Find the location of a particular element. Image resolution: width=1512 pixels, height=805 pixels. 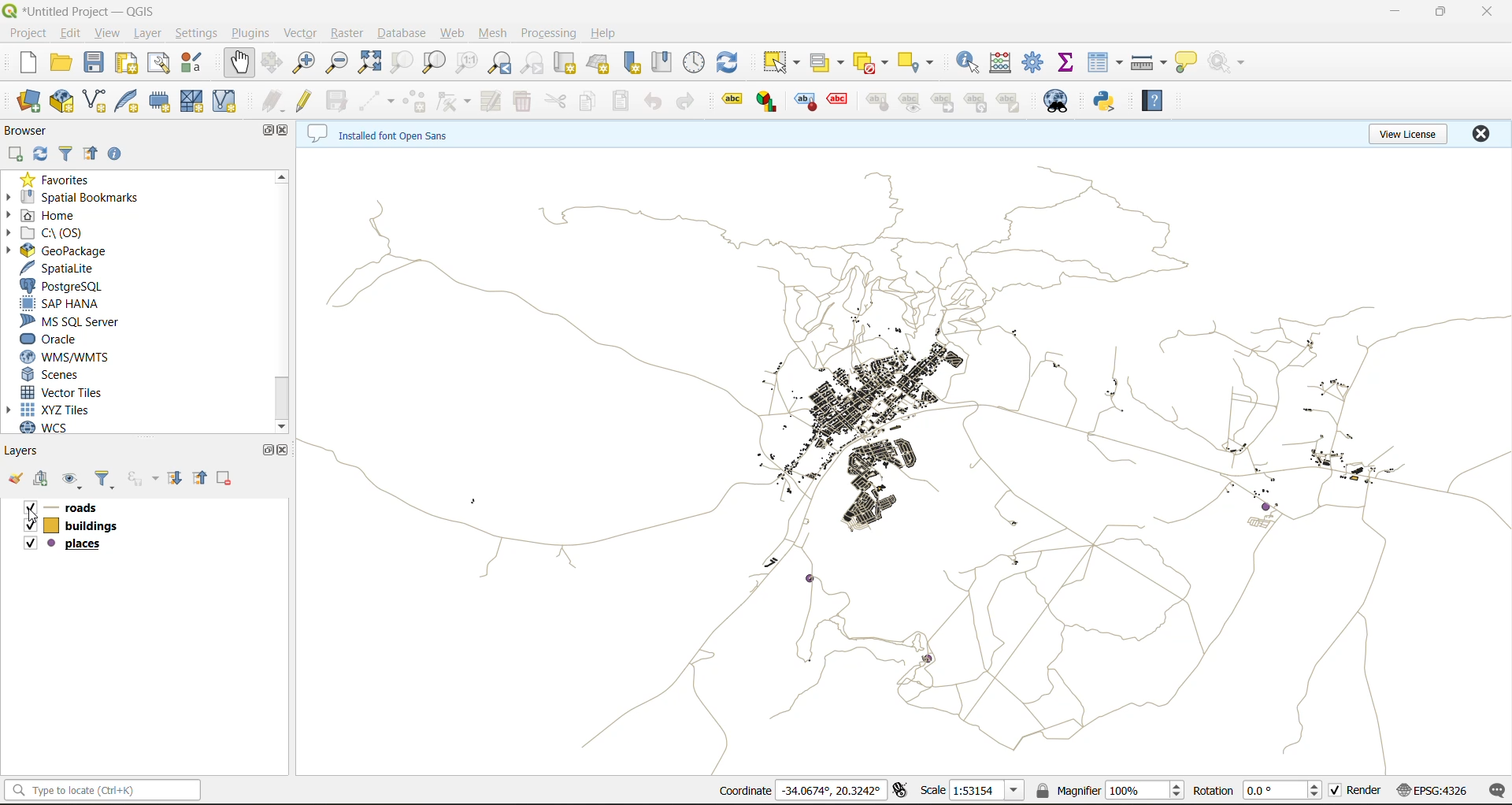

labels toolbar 5 is located at coordinates (879, 104).